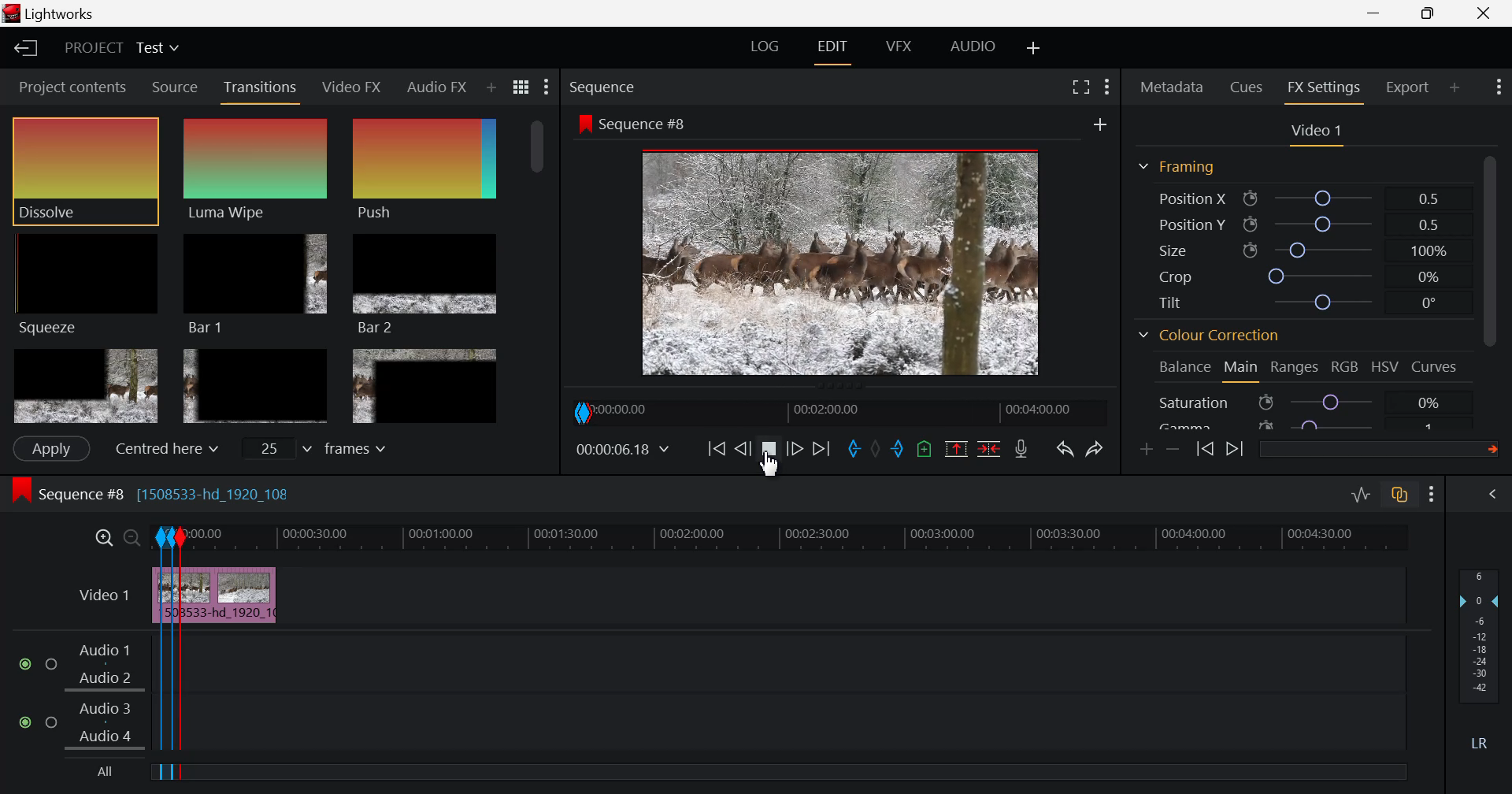 The width and height of the screenshot is (1512, 794). I want to click on Sequence #8 [1508533-hd_1920_10, so click(156, 492).